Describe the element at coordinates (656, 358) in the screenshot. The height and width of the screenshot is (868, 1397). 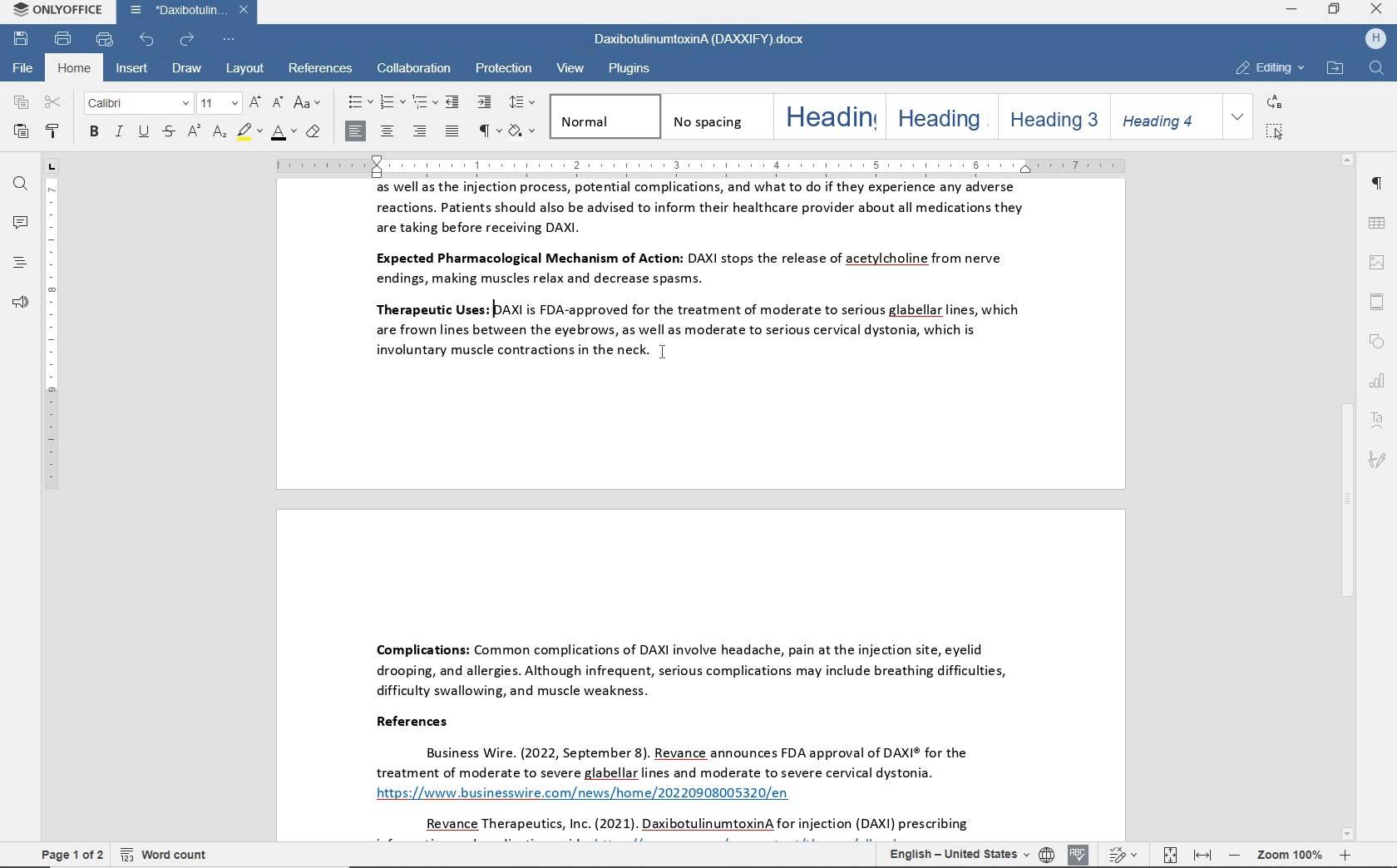
I see `text cursor` at that location.